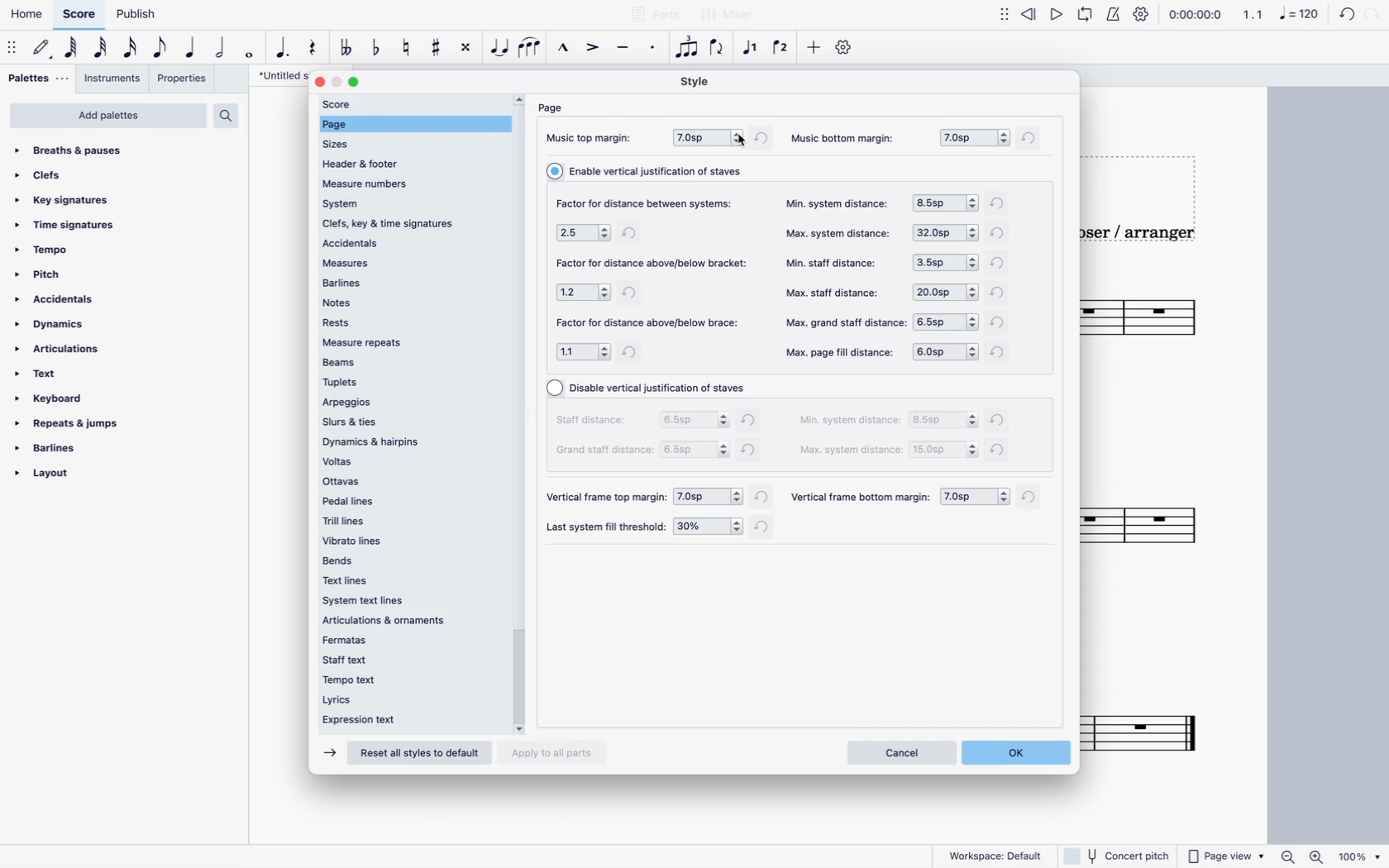 The height and width of the screenshot is (868, 1389). What do you see at coordinates (409, 182) in the screenshot?
I see `measure numbers` at bounding box center [409, 182].